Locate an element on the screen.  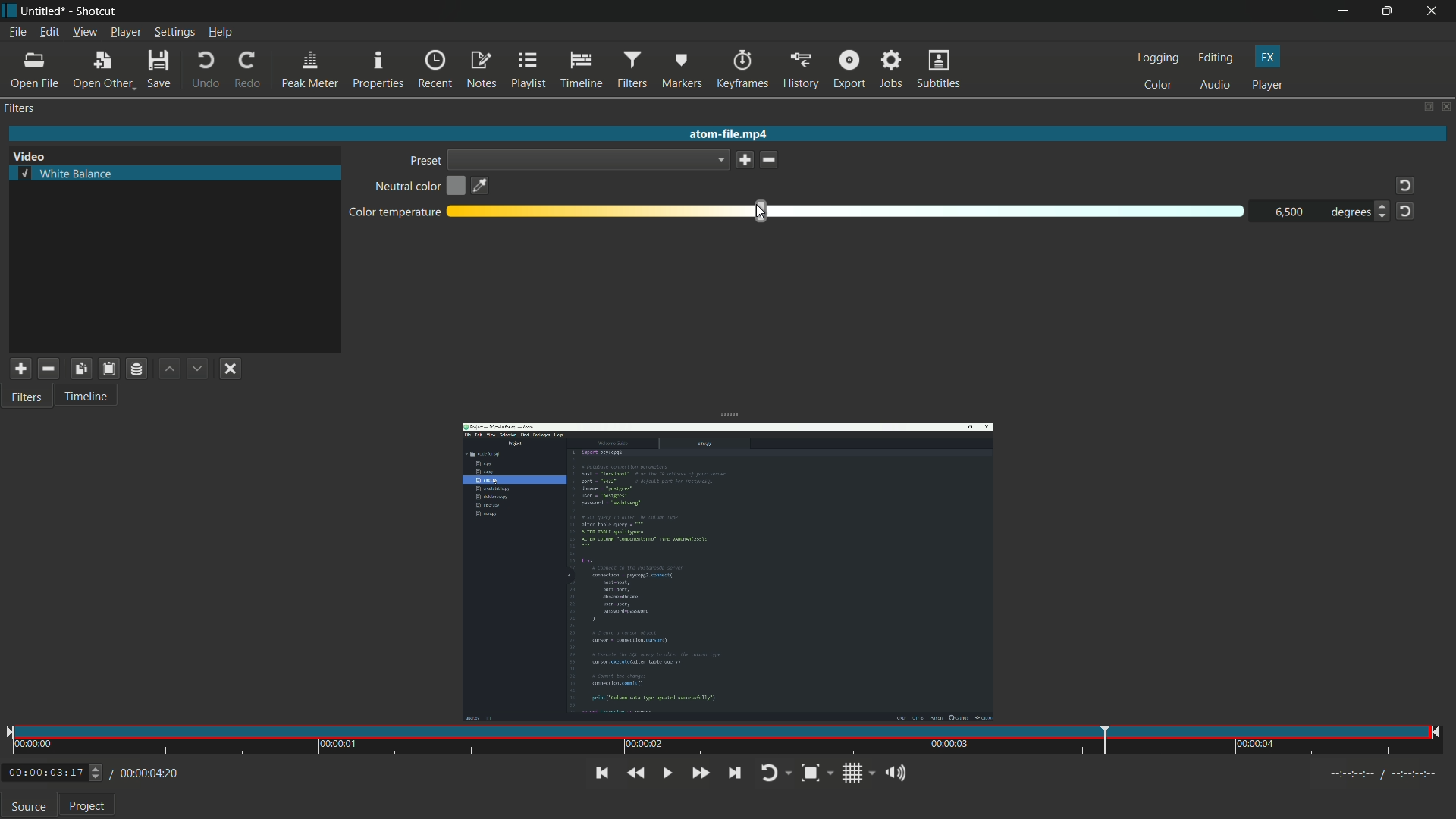
file menu is located at coordinates (17, 31).